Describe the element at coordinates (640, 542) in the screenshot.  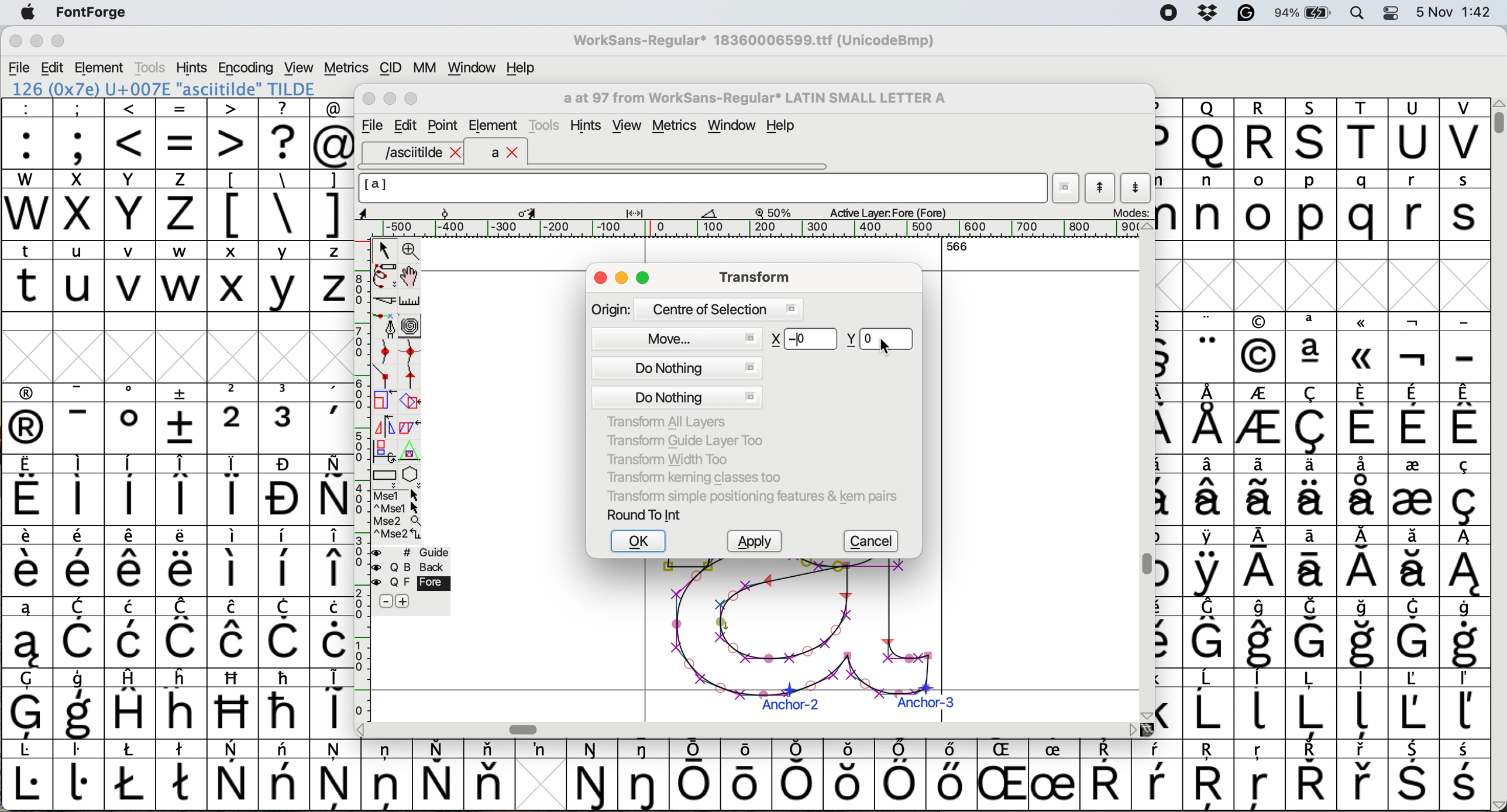
I see `ok` at that location.